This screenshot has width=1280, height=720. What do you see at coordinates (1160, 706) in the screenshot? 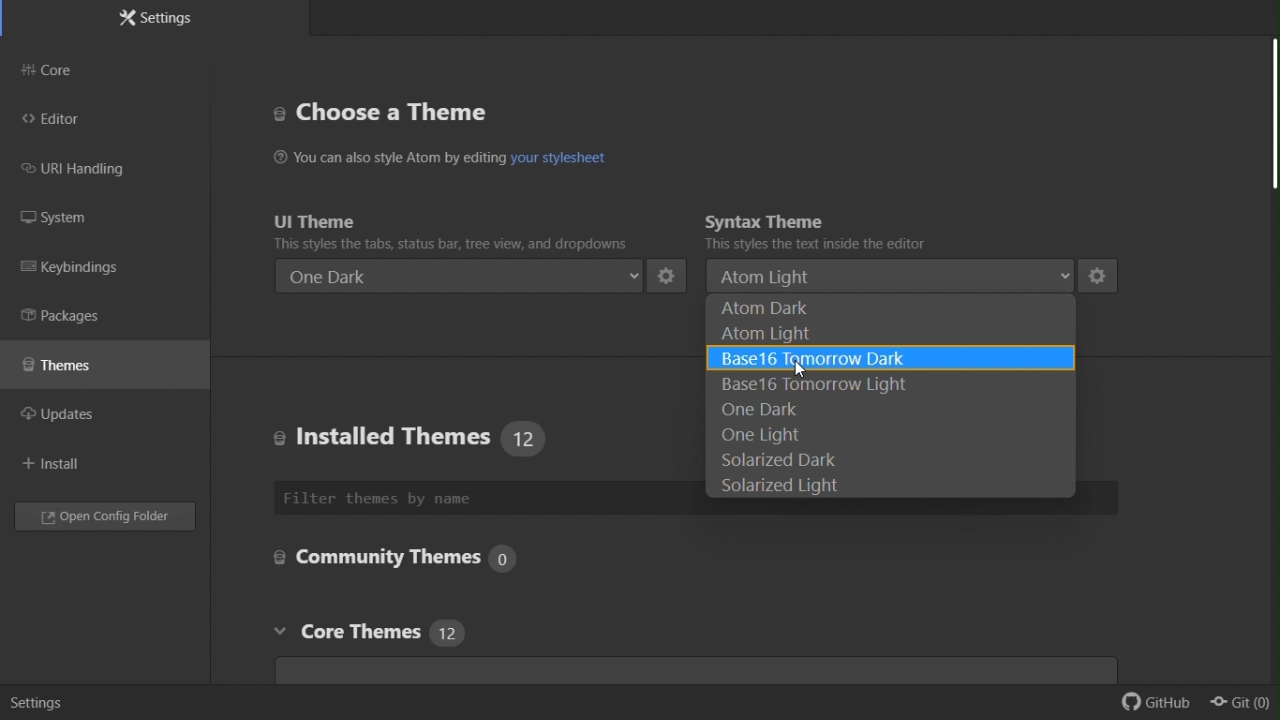
I see `github` at bounding box center [1160, 706].